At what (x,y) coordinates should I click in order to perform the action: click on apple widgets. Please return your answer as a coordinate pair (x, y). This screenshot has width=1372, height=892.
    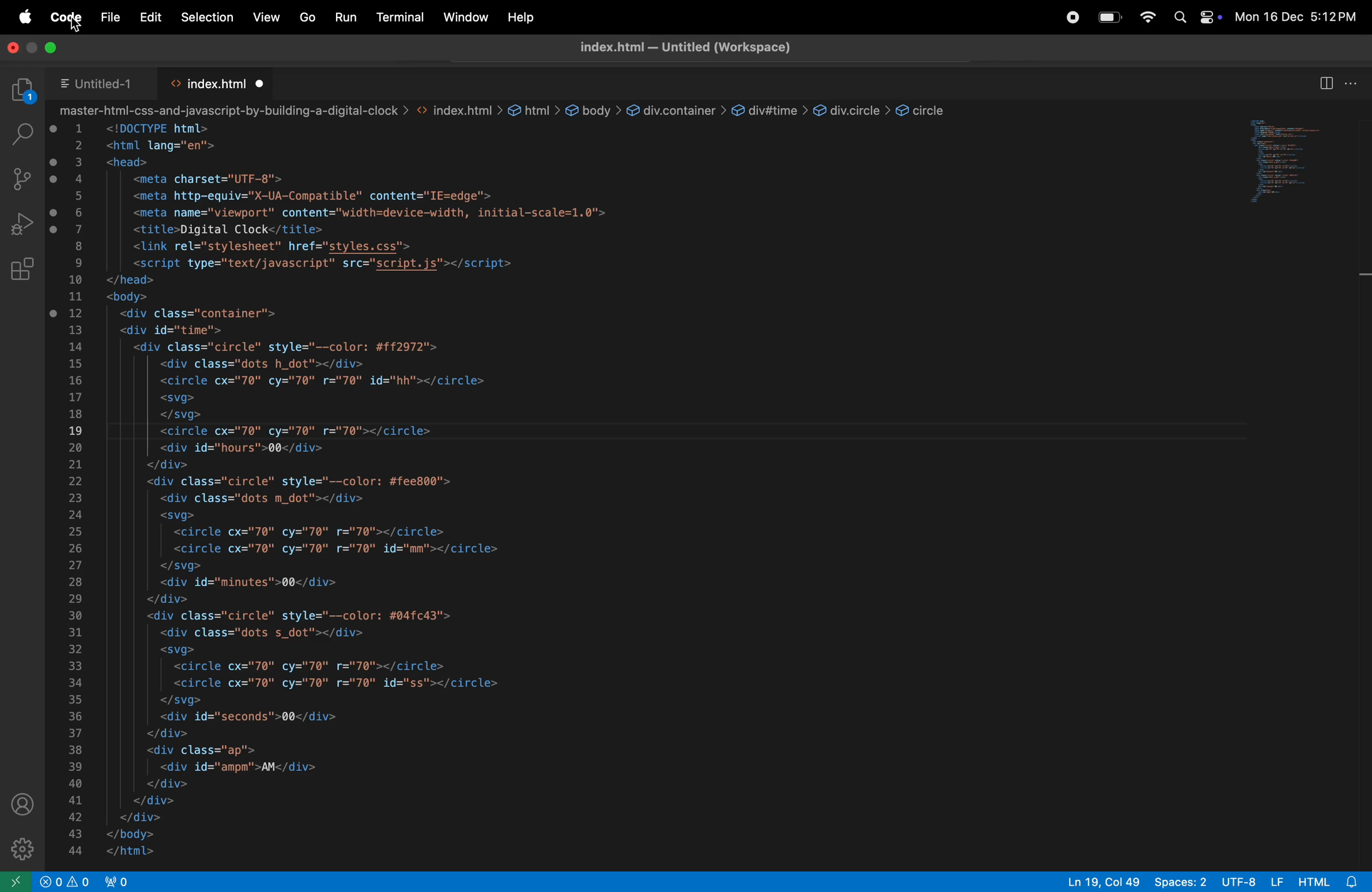
    Looking at the image, I should click on (1194, 17).